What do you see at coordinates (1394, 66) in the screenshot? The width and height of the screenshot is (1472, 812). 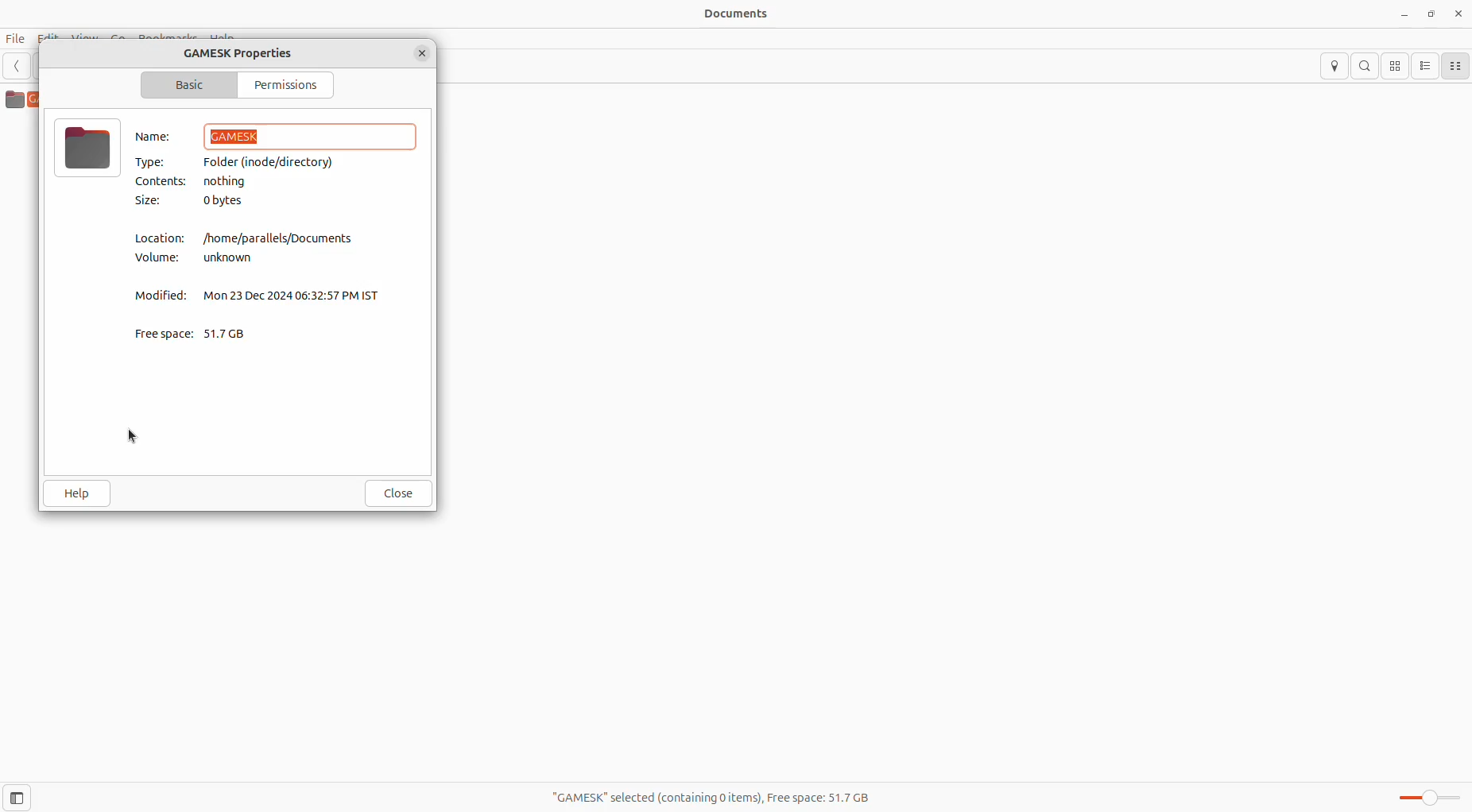 I see `icon view` at bounding box center [1394, 66].